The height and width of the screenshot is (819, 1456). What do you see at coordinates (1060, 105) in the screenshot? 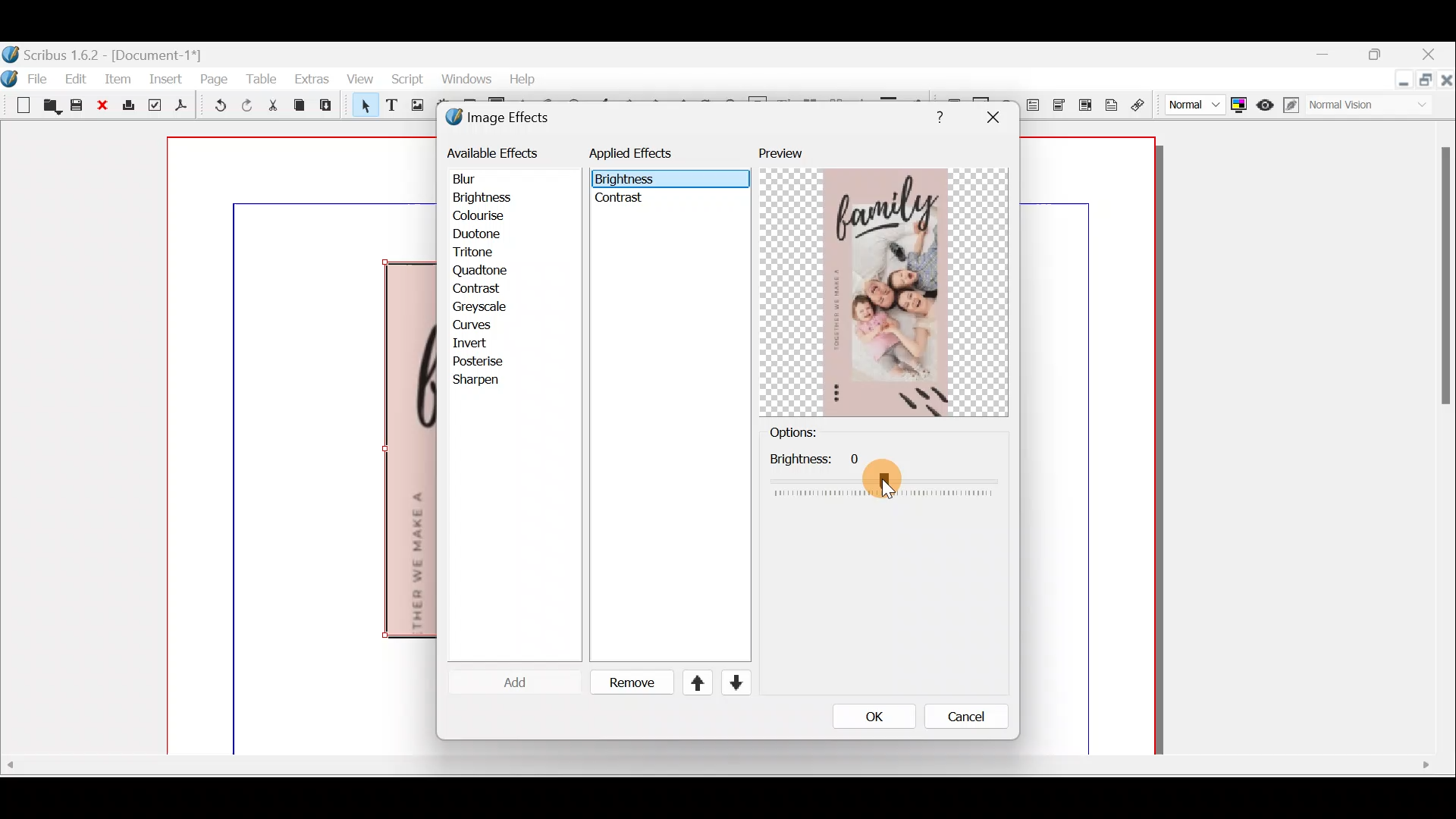
I see `PDF combo box` at bounding box center [1060, 105].